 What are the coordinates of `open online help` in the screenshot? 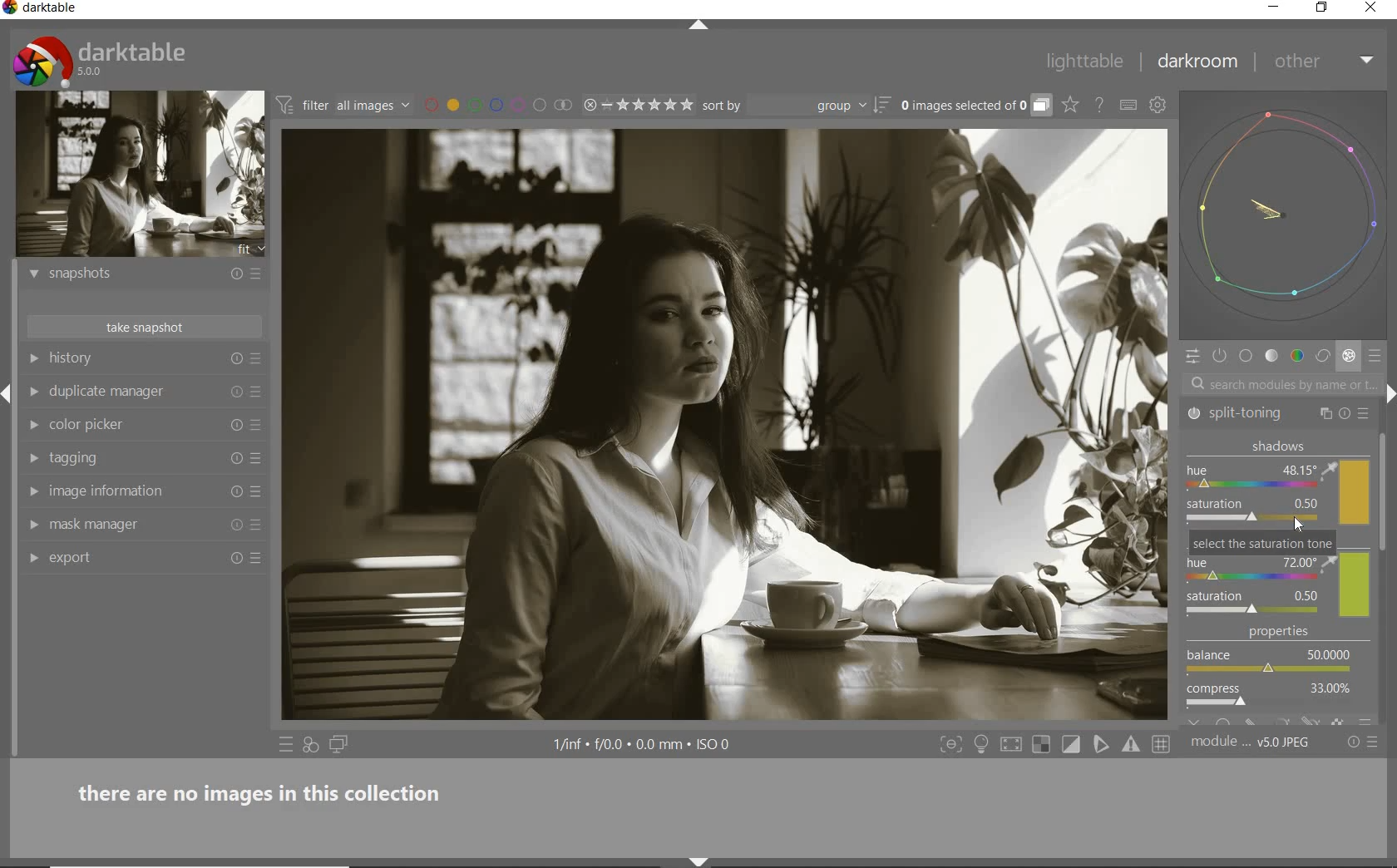 It's located at (1099, 104).